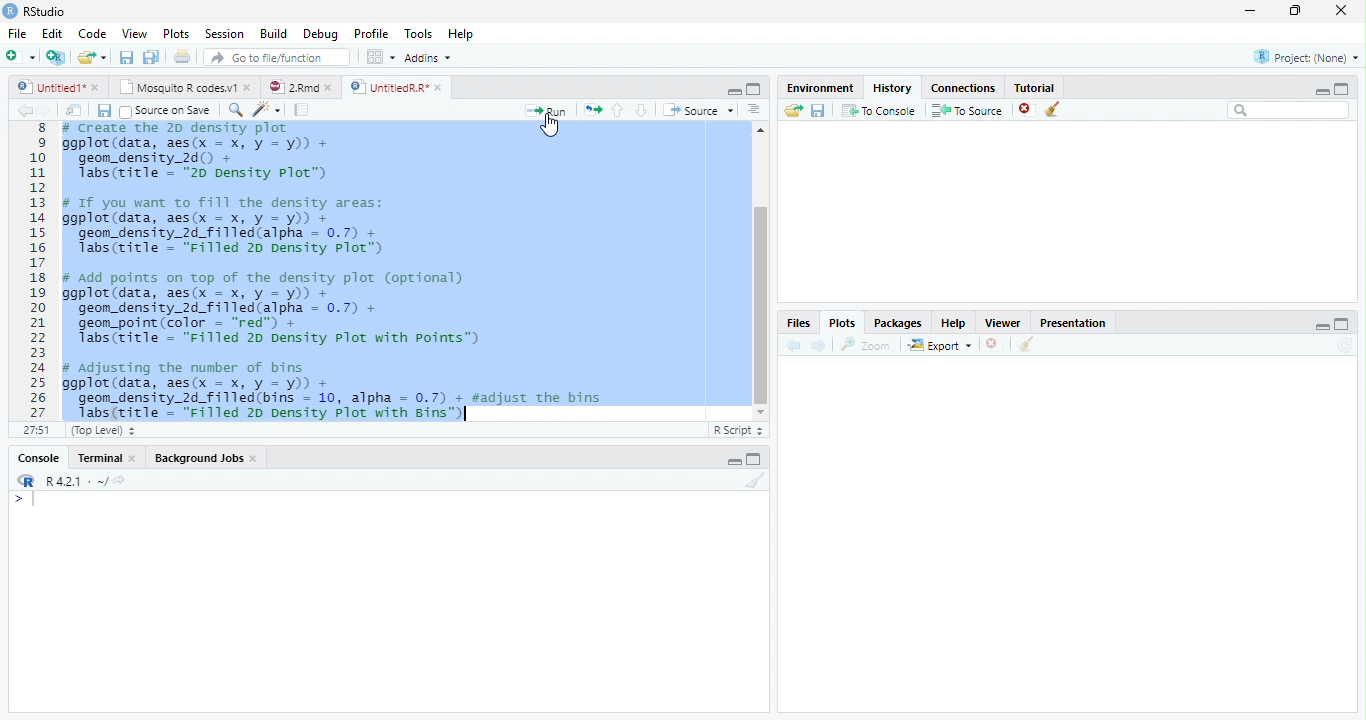 This screenshot has width=1366, height=720. Describe the element at coordinates (1249, 12) in the screenshot. I see `minimize` at that location.